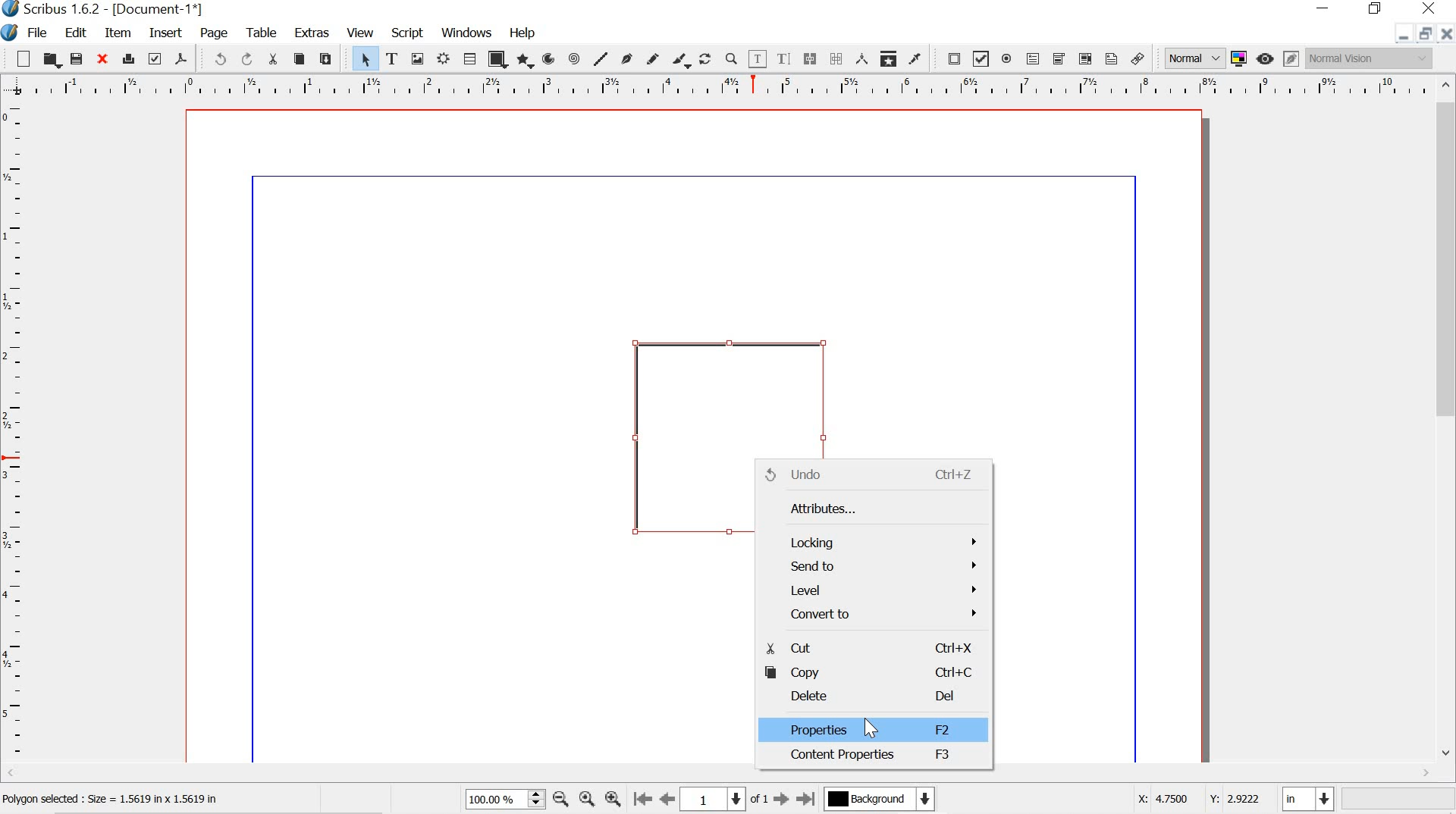 This screenshot has height=814, width=1456. What do you see at coordinates (886, 800) in the screenshot?
I see `background` at bounding box center [886, 800].